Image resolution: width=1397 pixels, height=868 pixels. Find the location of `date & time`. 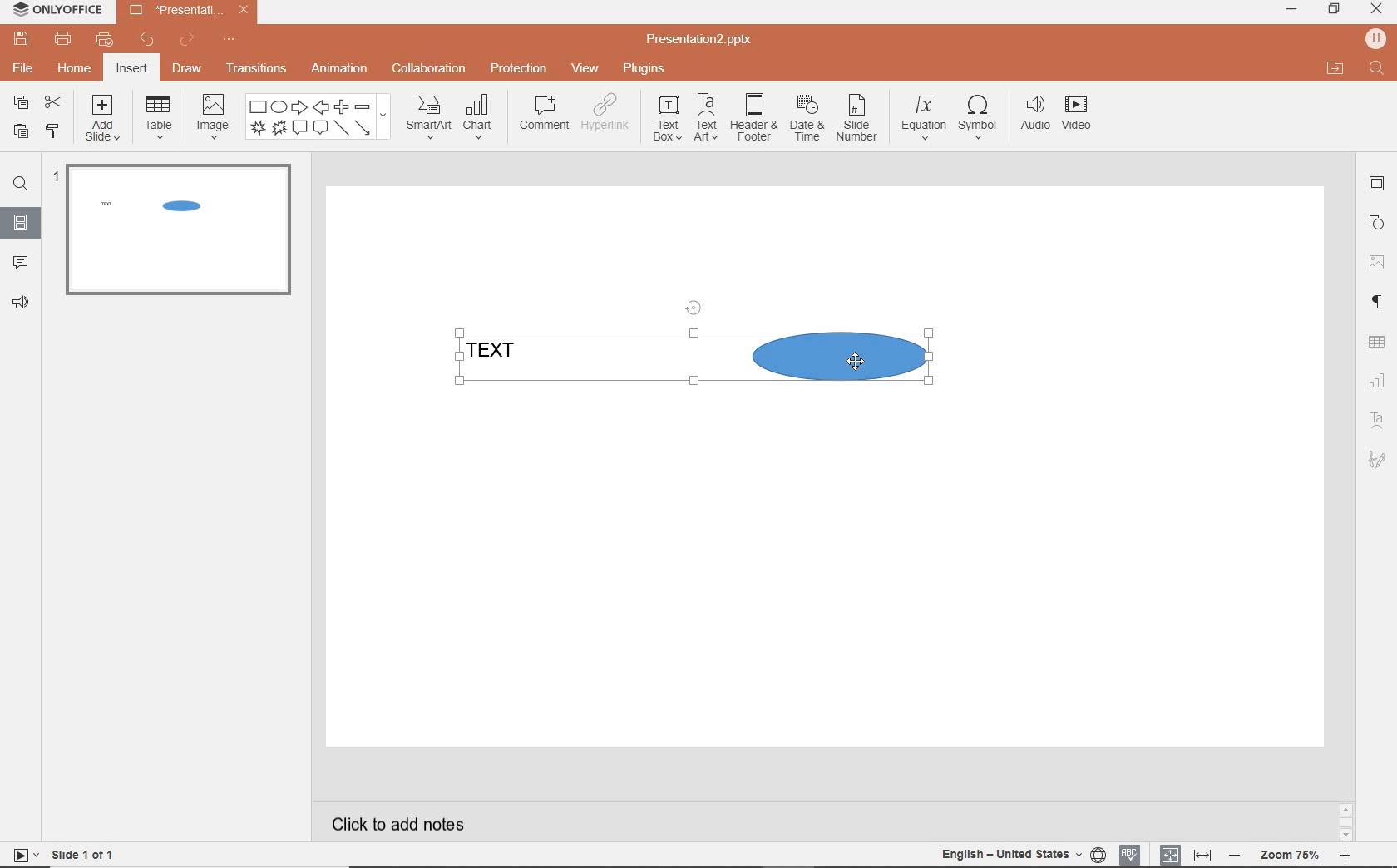

date & time is located at coordinates (805, 122).